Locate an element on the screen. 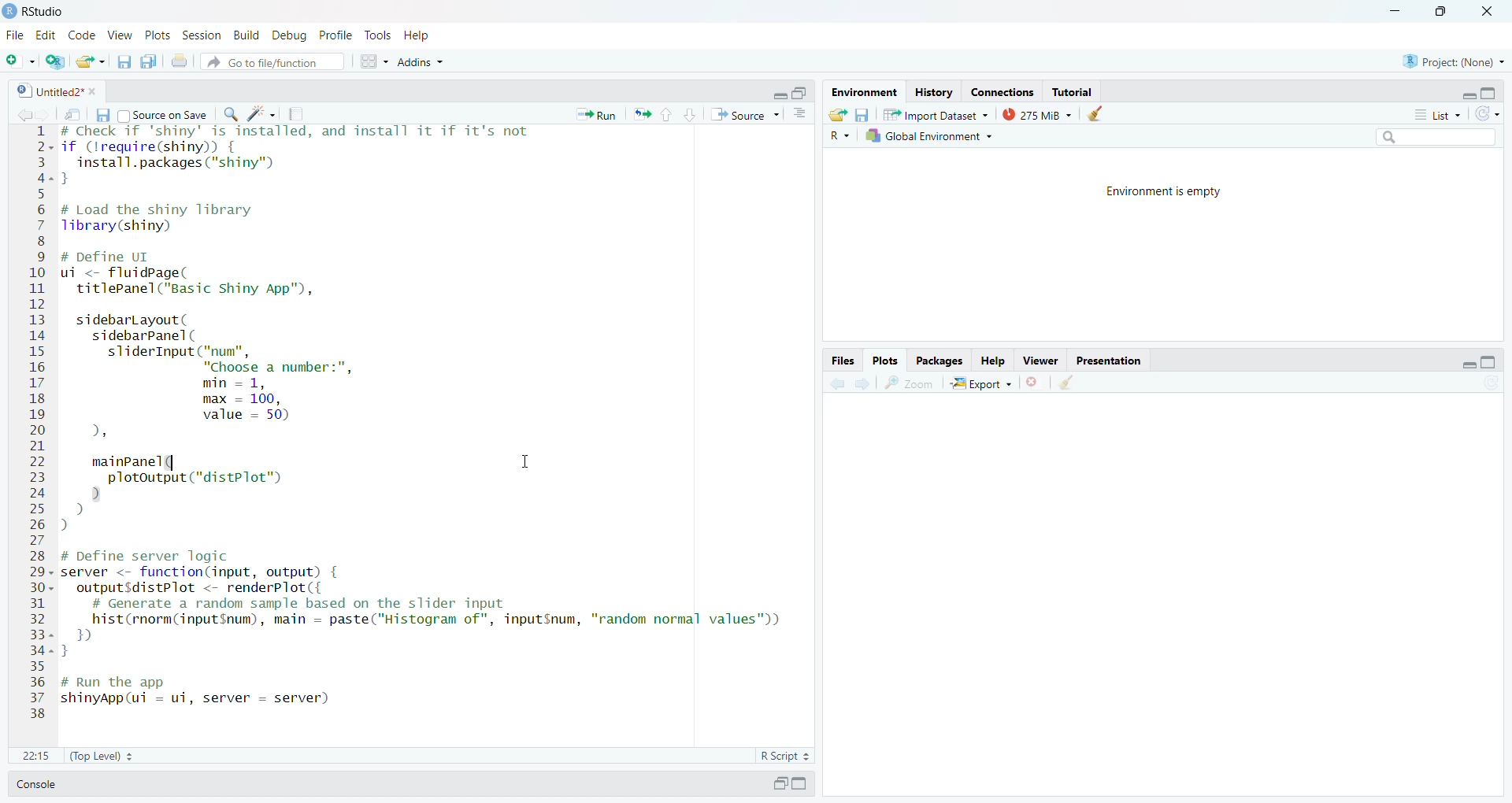 This screenshot has width=1512, height=803. source menu is located at coordinates (745, 115).